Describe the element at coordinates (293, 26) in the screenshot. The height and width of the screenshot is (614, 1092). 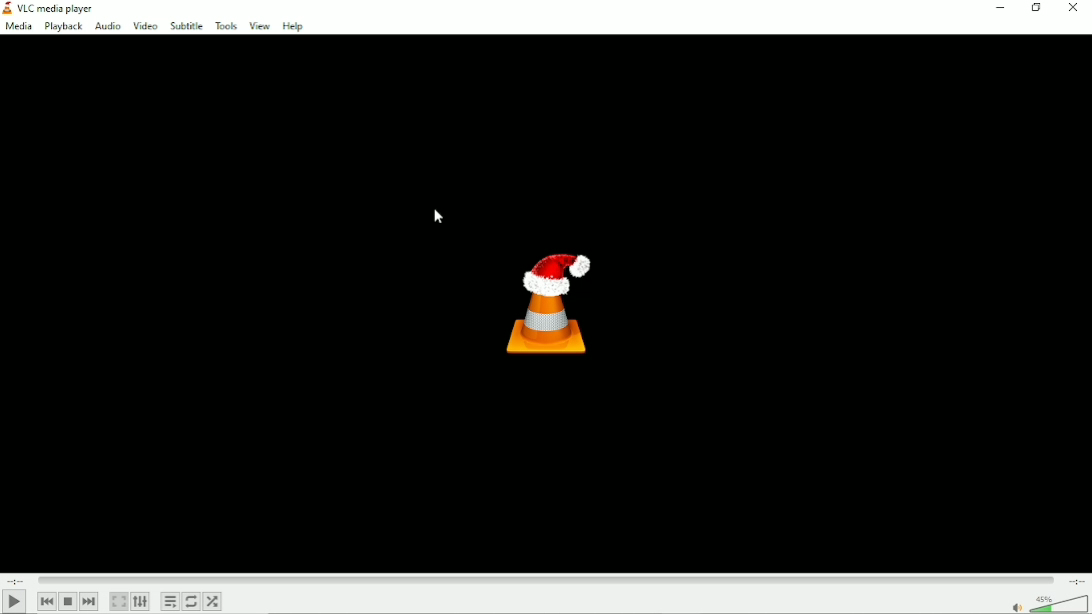
I see `Help` at that location.